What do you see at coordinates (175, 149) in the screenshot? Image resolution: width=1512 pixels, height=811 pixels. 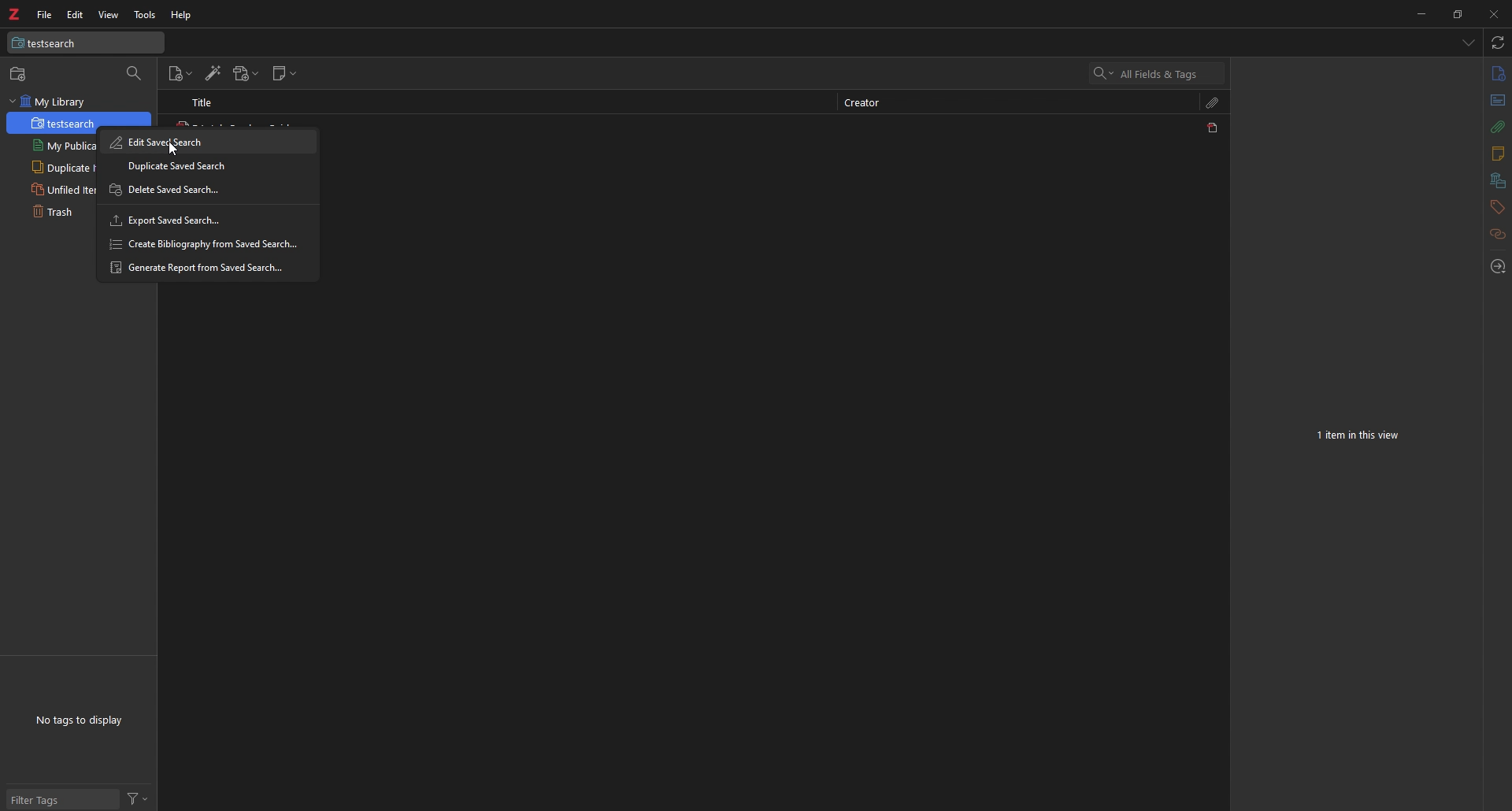 I see `Cursor` at bounding box center [175, 149].